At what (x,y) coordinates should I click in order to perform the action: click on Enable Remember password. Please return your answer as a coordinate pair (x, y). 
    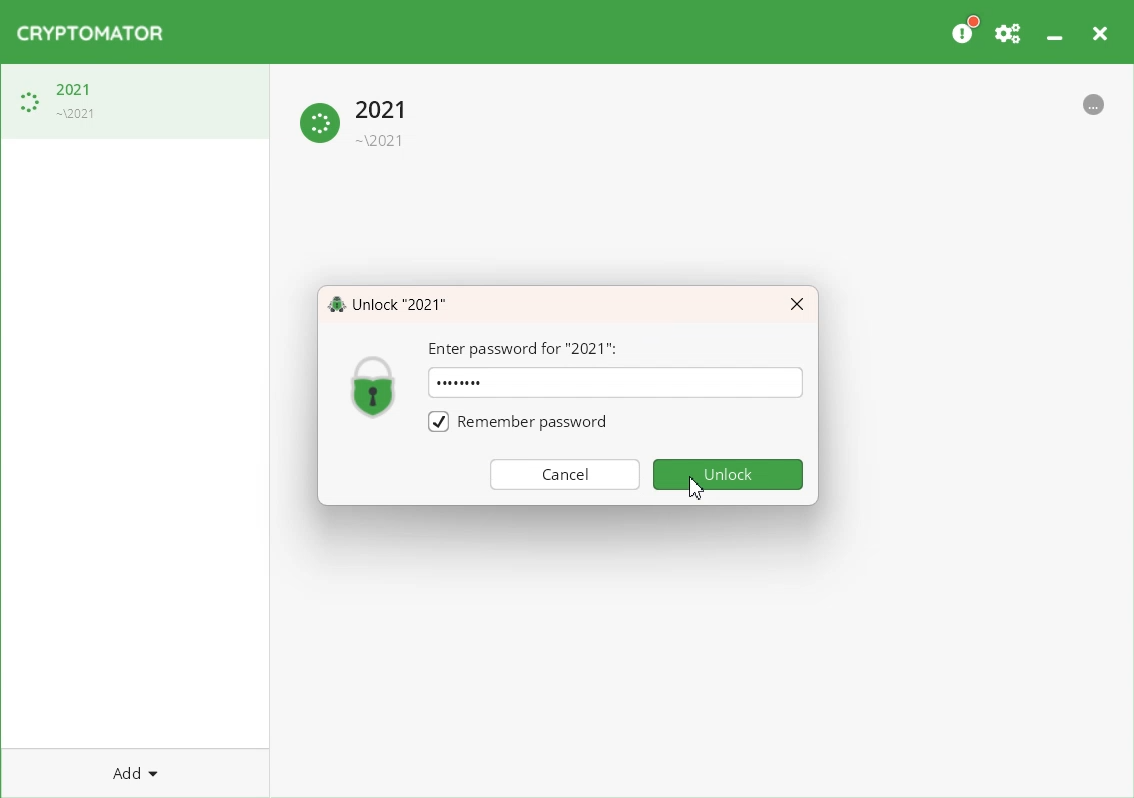
    Looking at the image, I should click on (516, 420).